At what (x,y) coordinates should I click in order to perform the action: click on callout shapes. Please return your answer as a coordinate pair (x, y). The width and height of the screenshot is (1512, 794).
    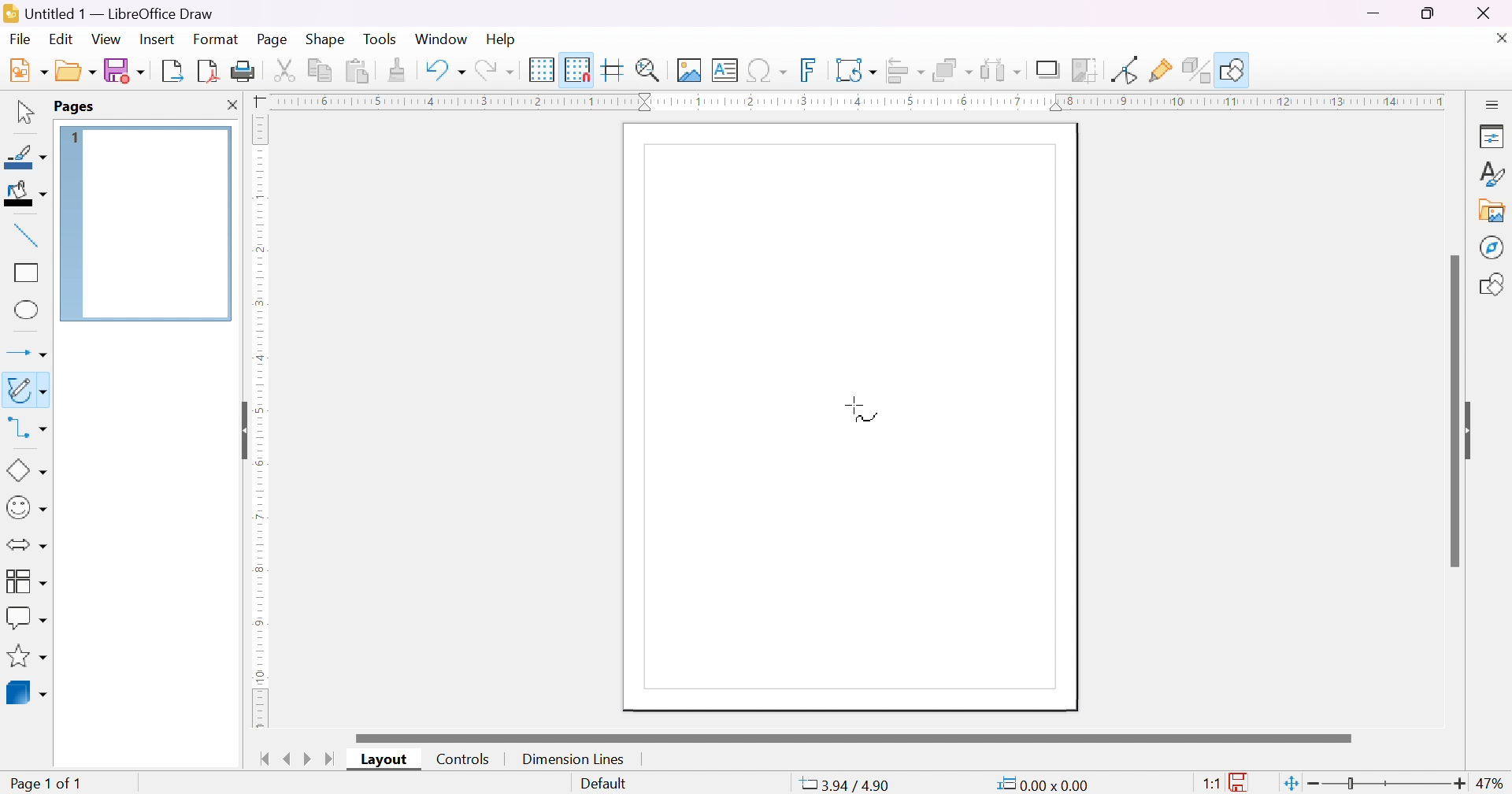
    Looking at the image, I should click on (27, 617).